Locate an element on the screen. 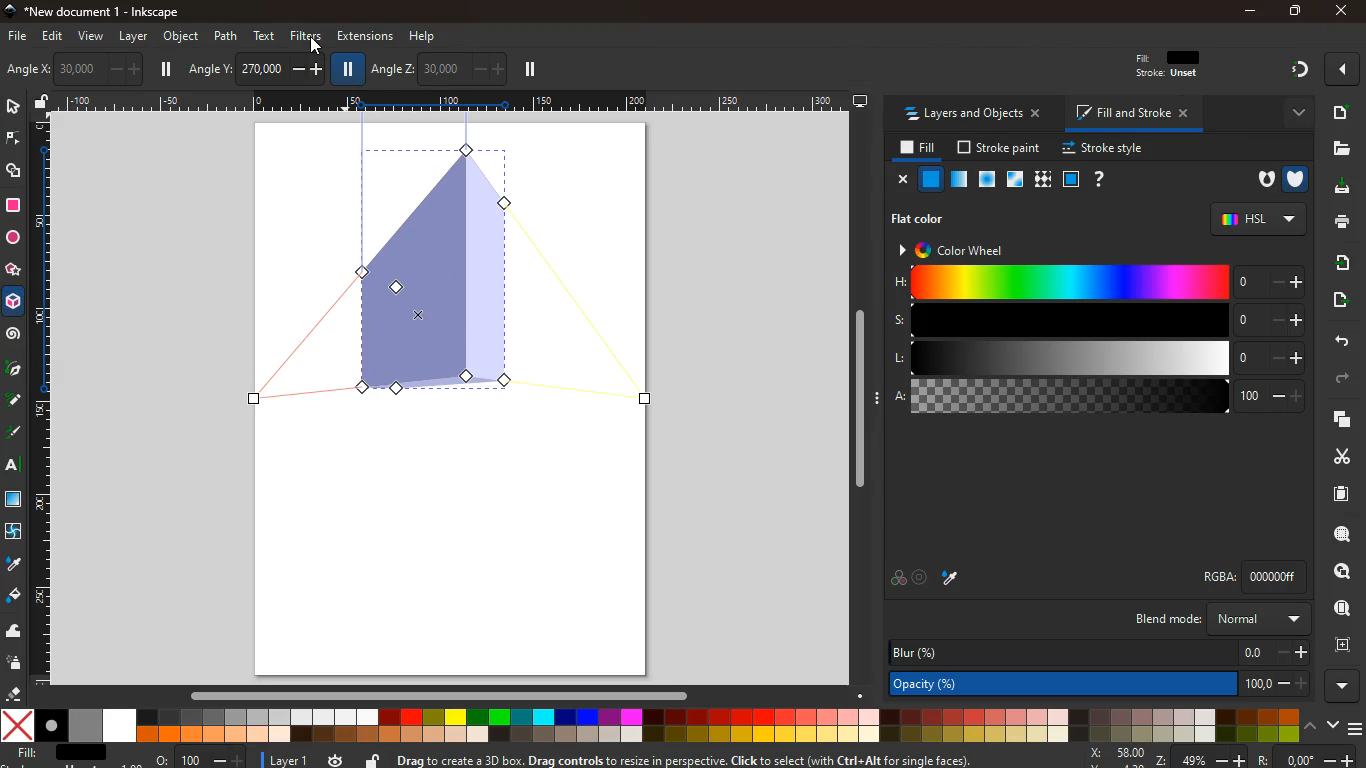 The image size is (1366, 768). fill is located at coordinates (915, 148).